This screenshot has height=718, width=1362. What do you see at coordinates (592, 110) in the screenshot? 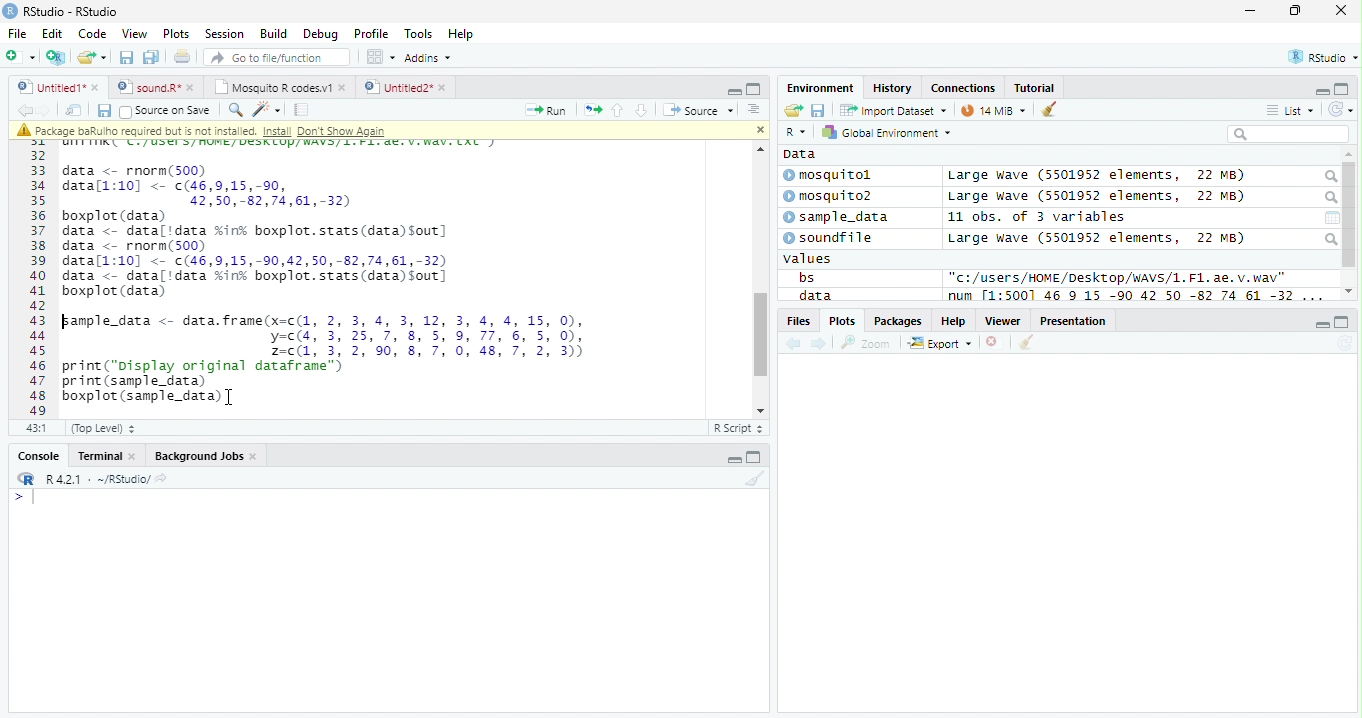
I see `Re-run the previous code` at bounding box center [592, 110].